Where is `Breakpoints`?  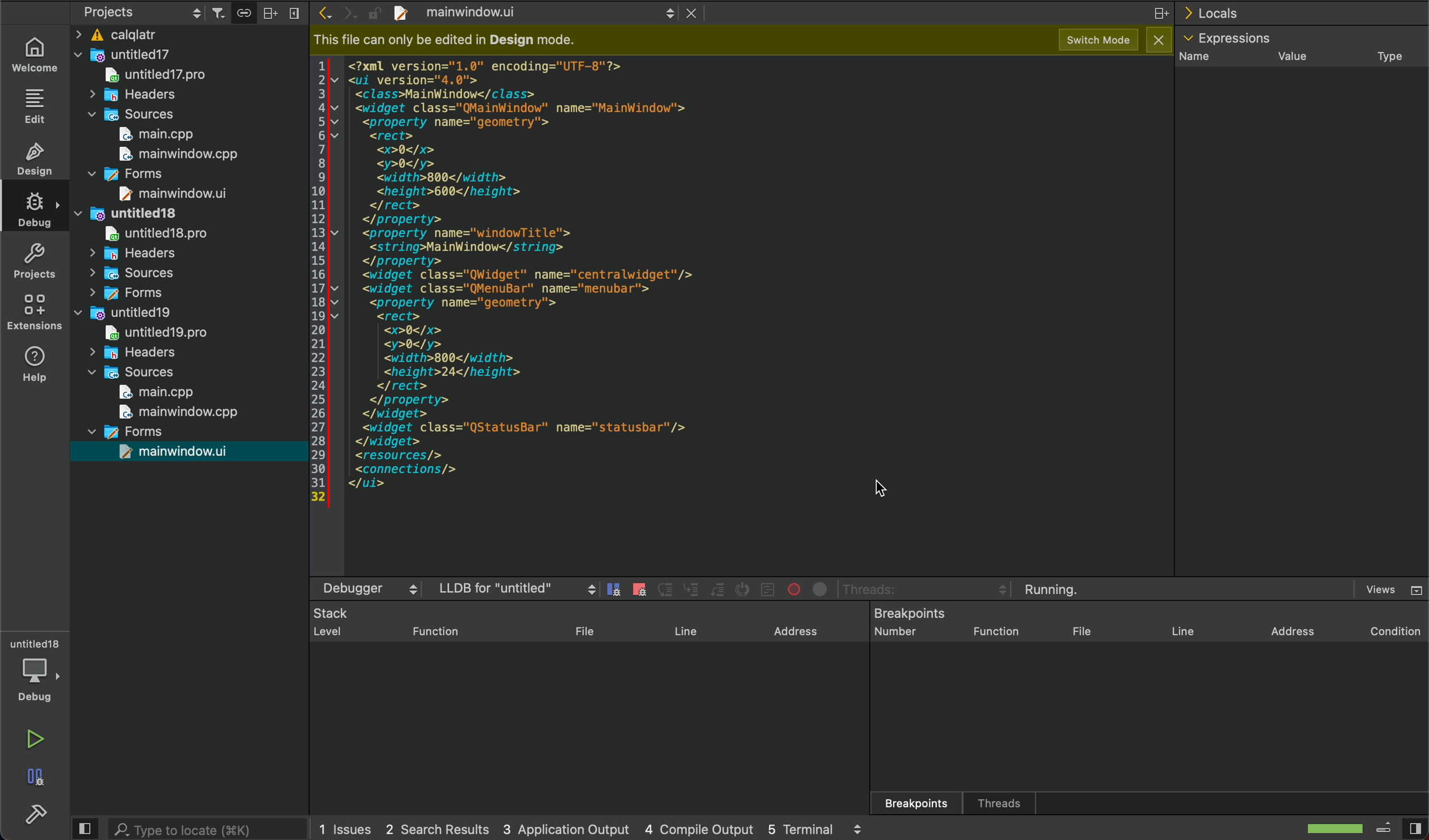 Breakpoints is located at coordinates (900, 797).